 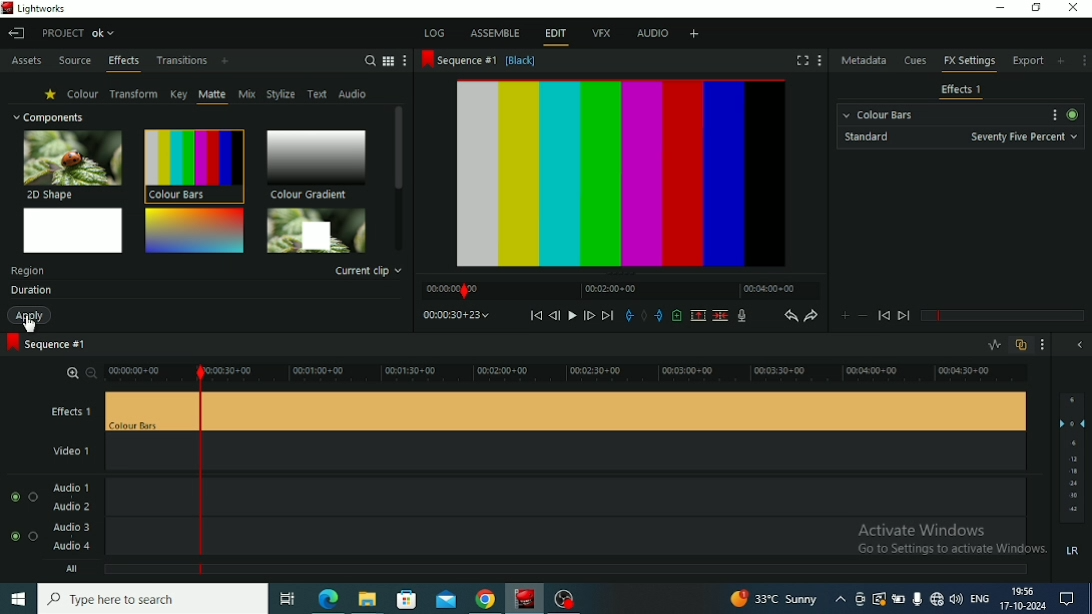 I want to click on Mix, so click(x=247, y=94).